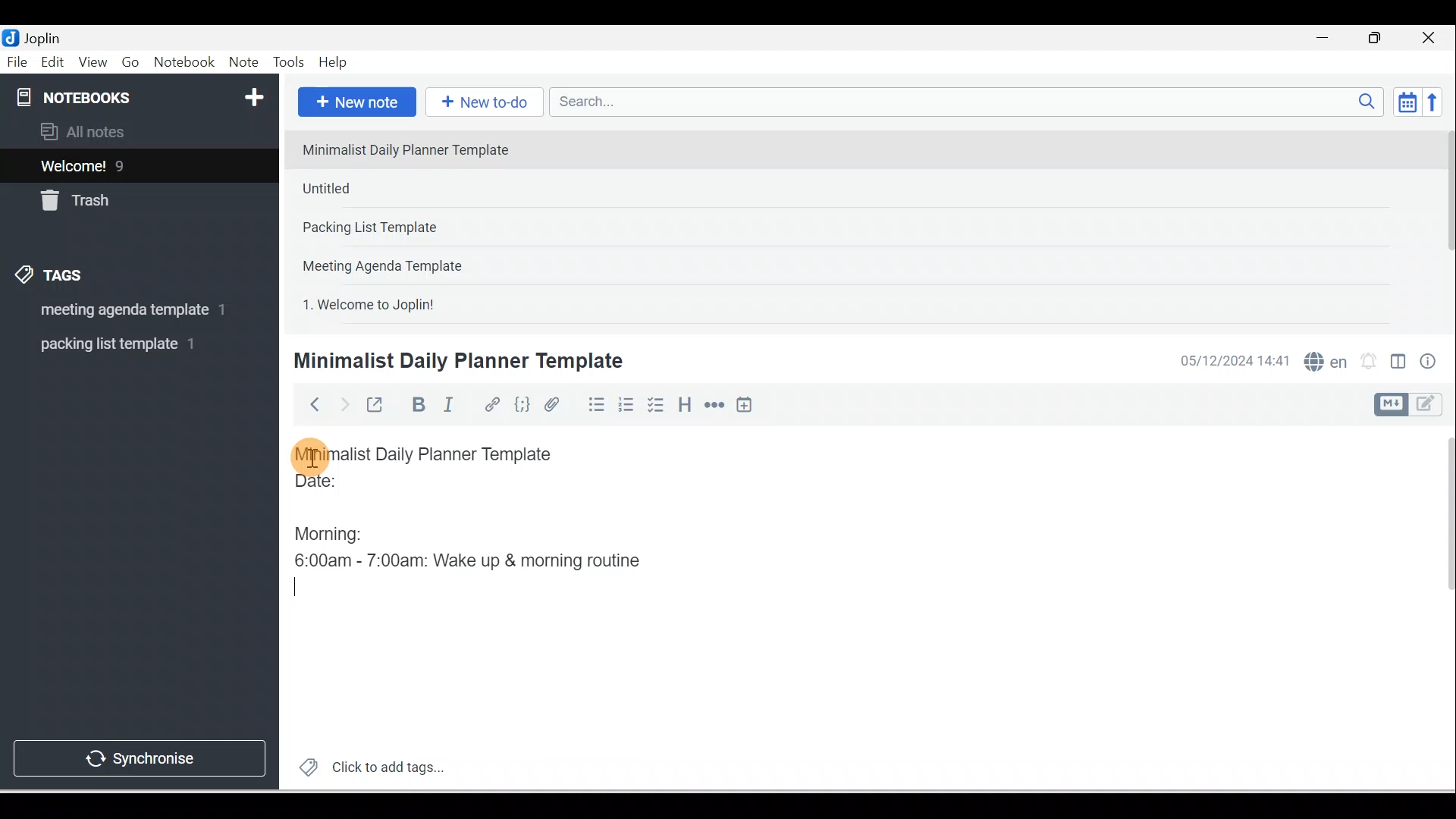  What do you see at coordinates (418, 228) in the screenshot?
I see `Note 3` at bounding box center [418, 228].